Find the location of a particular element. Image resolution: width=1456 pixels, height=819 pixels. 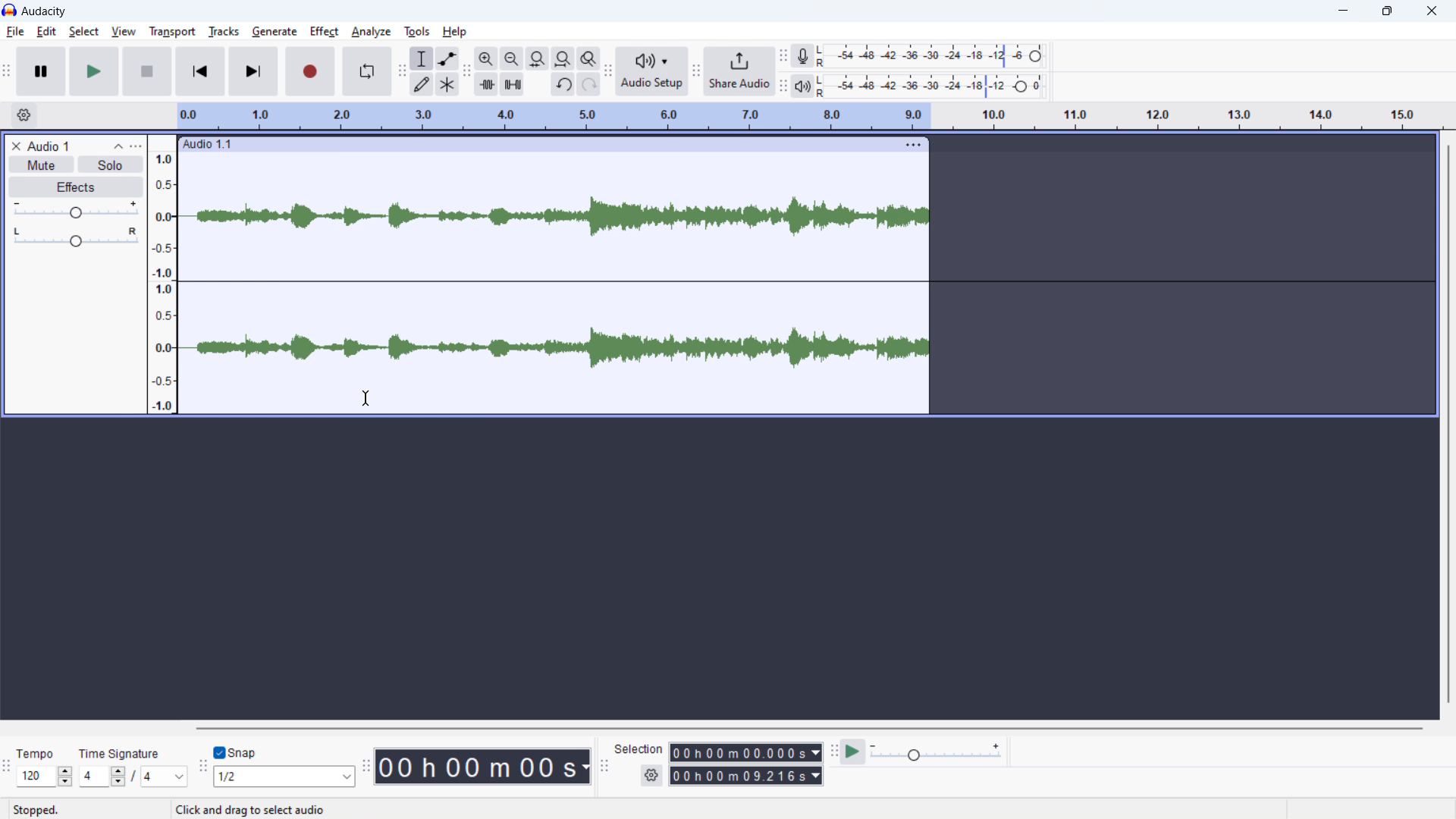

Tempo is located at coordinates (36, 752).